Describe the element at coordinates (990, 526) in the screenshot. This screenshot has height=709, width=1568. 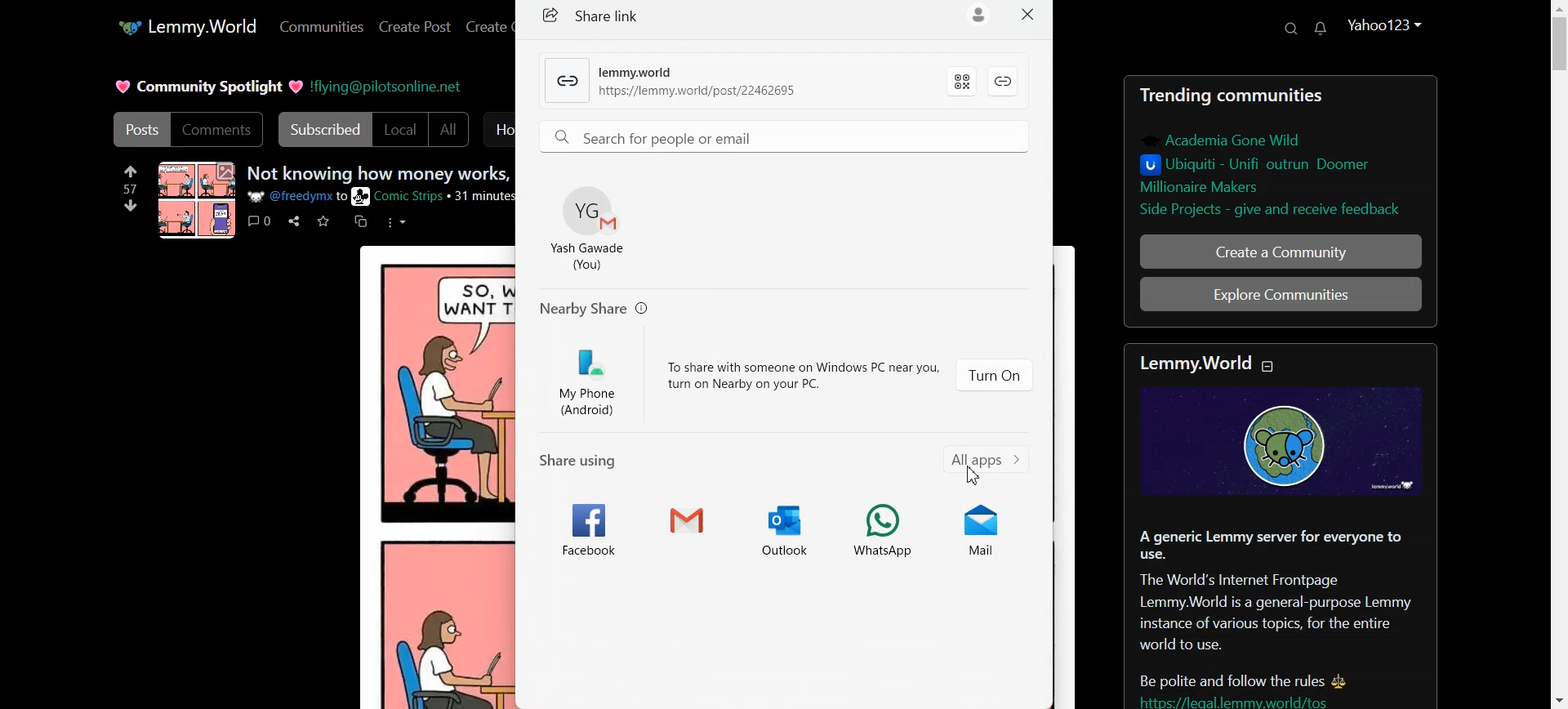
I see `Mail` at that location.